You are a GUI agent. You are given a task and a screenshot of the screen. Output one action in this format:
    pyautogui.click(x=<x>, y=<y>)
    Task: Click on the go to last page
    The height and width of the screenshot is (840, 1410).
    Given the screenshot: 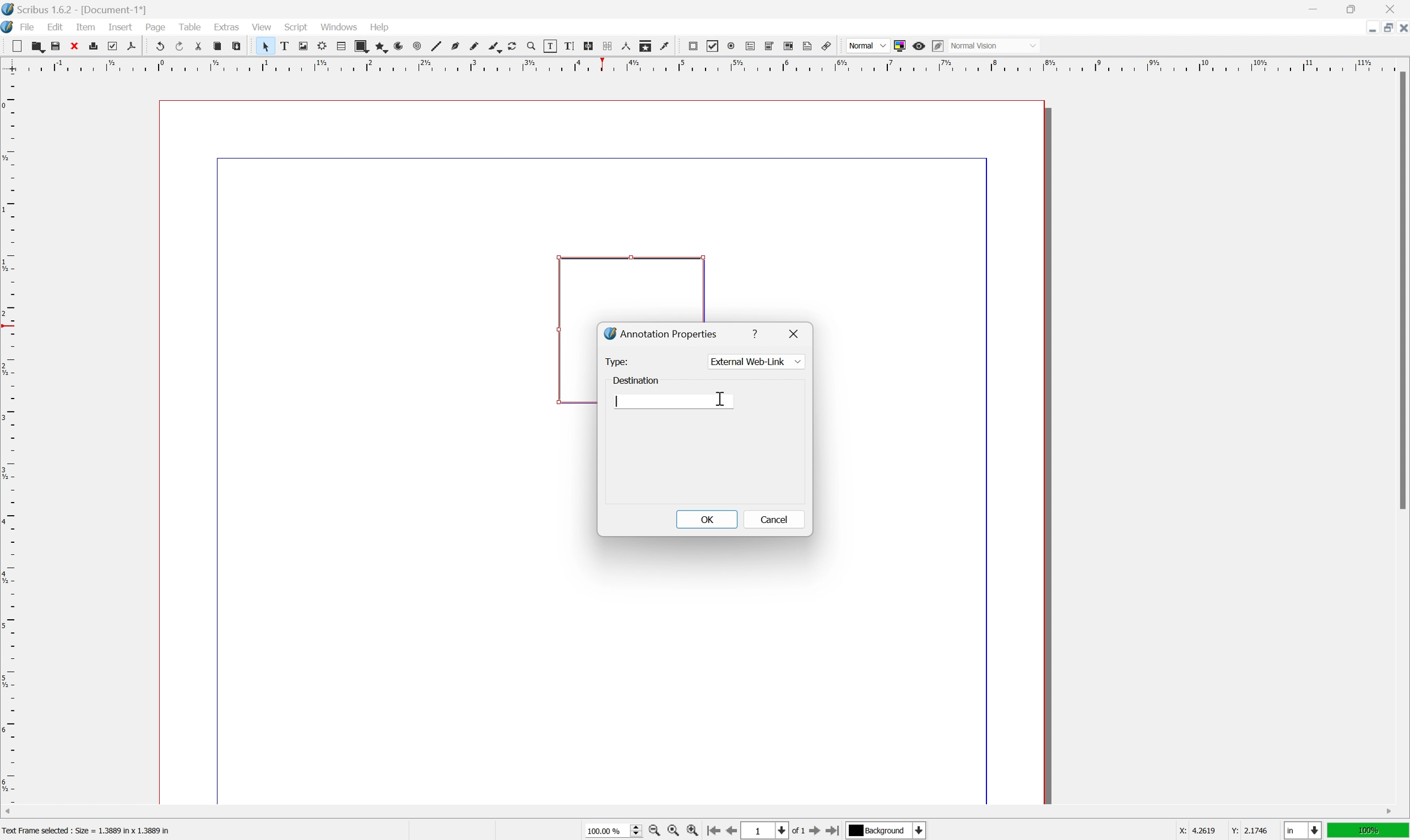 What is the action you would take?
    pyautogui.click(x=835, y=830)
    